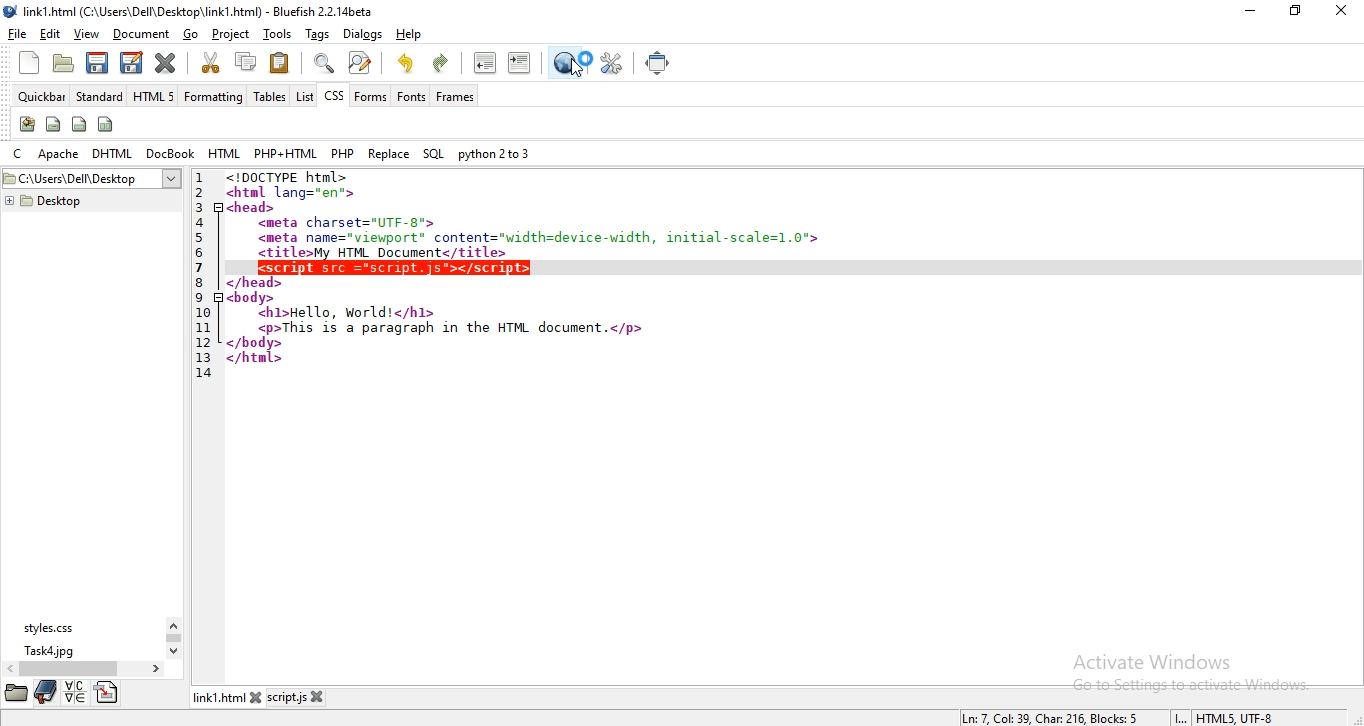 Image resolution: width=1364 pixels, height=726 pixels. What do you see at coordinates (199, 283) in the screenshot?
I see `8` at bounding box center [199, 283].